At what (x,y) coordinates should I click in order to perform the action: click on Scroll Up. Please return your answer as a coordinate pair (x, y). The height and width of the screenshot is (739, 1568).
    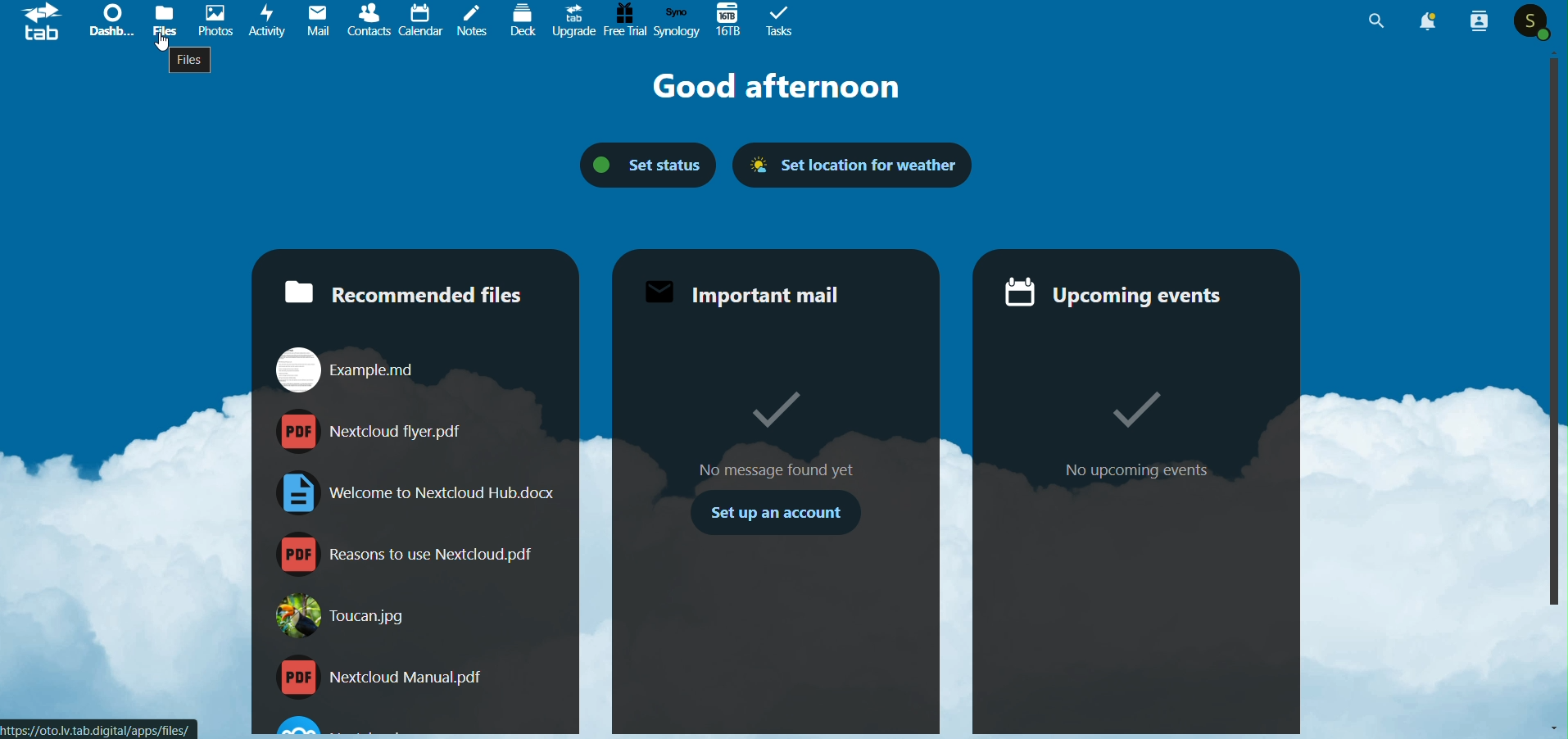
    Looking at the image, I should click on (1553, 53).